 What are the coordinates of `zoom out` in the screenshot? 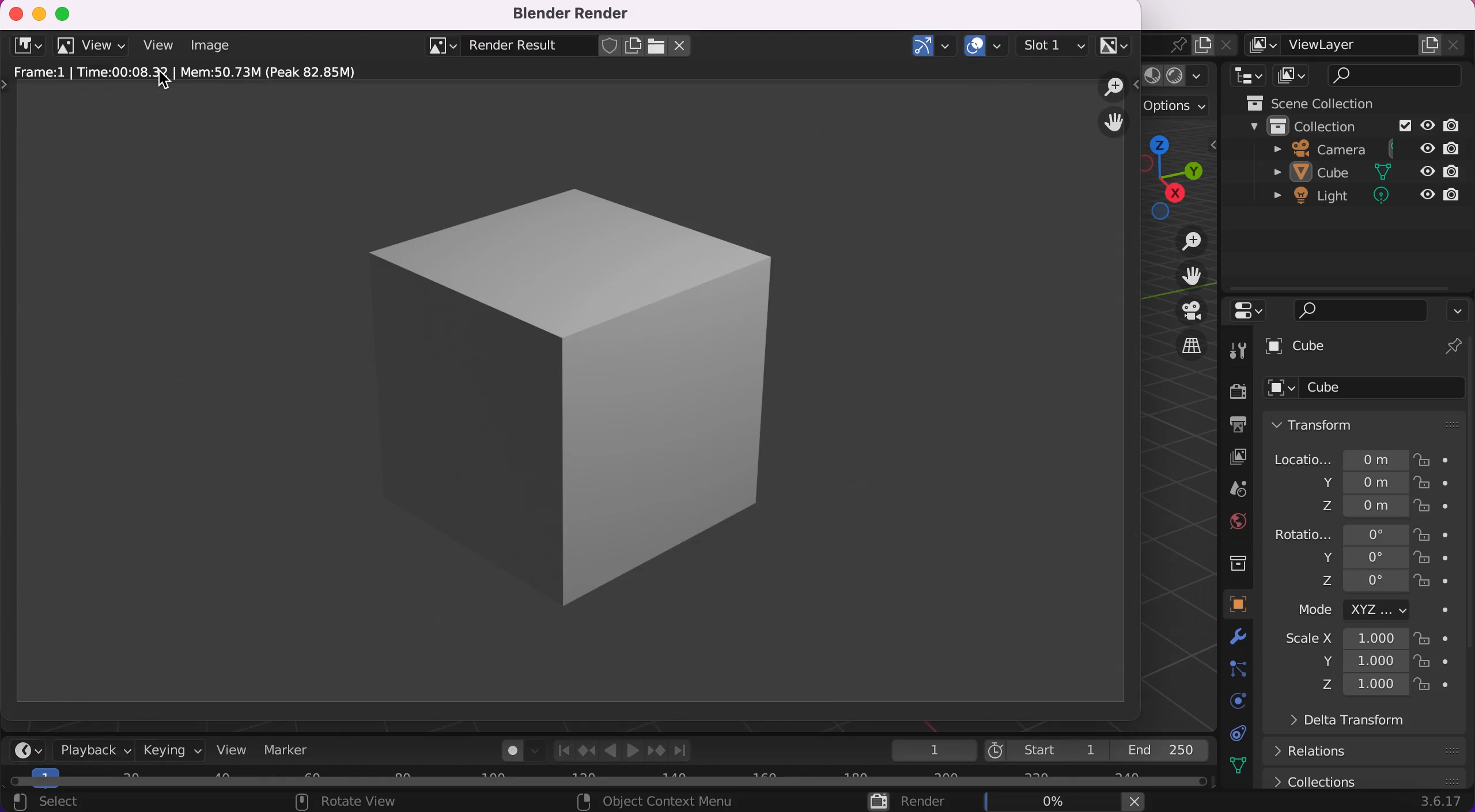 It's located at (1111, 88).